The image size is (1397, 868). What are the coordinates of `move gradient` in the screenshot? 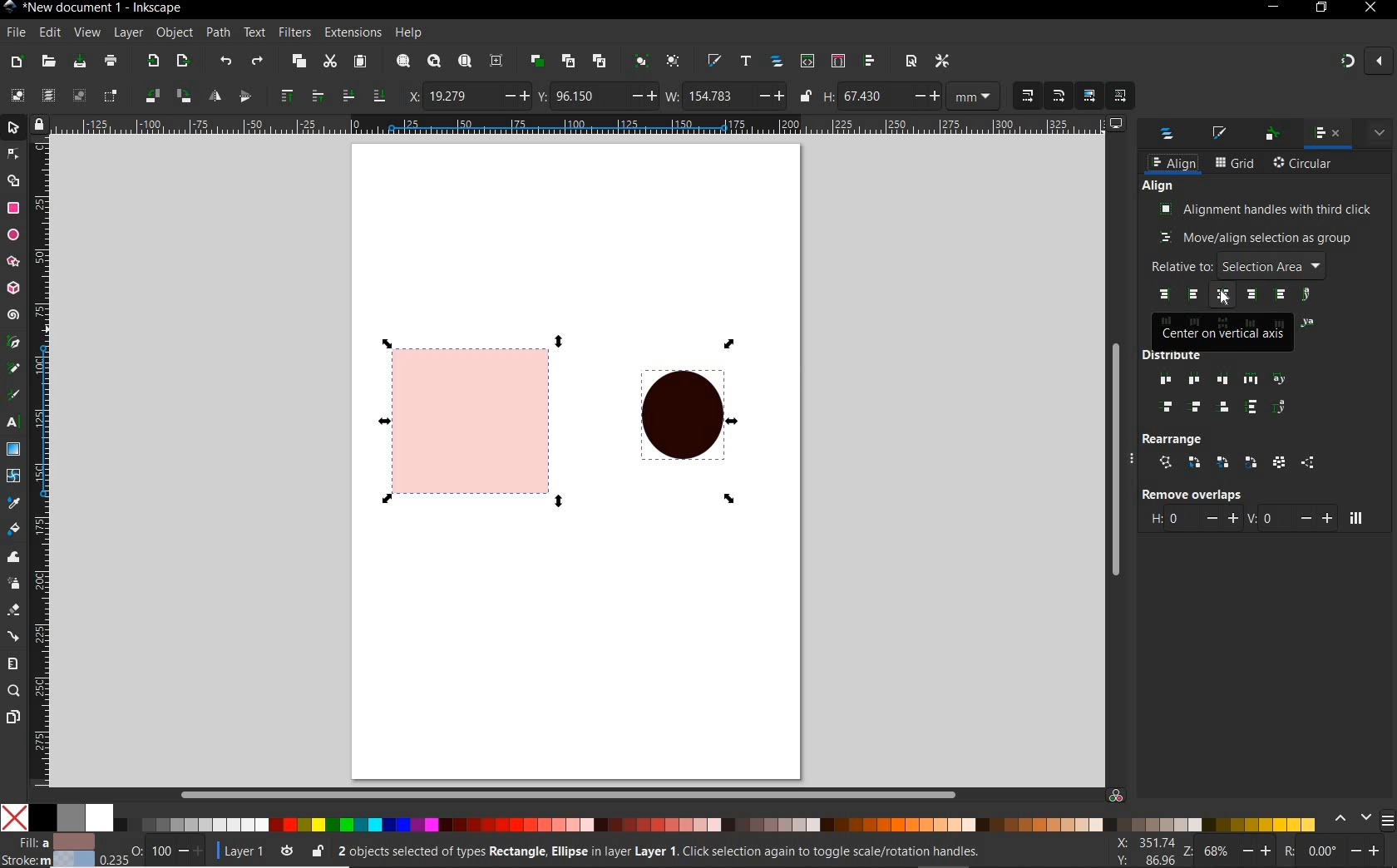 It's located at (1090, 95).